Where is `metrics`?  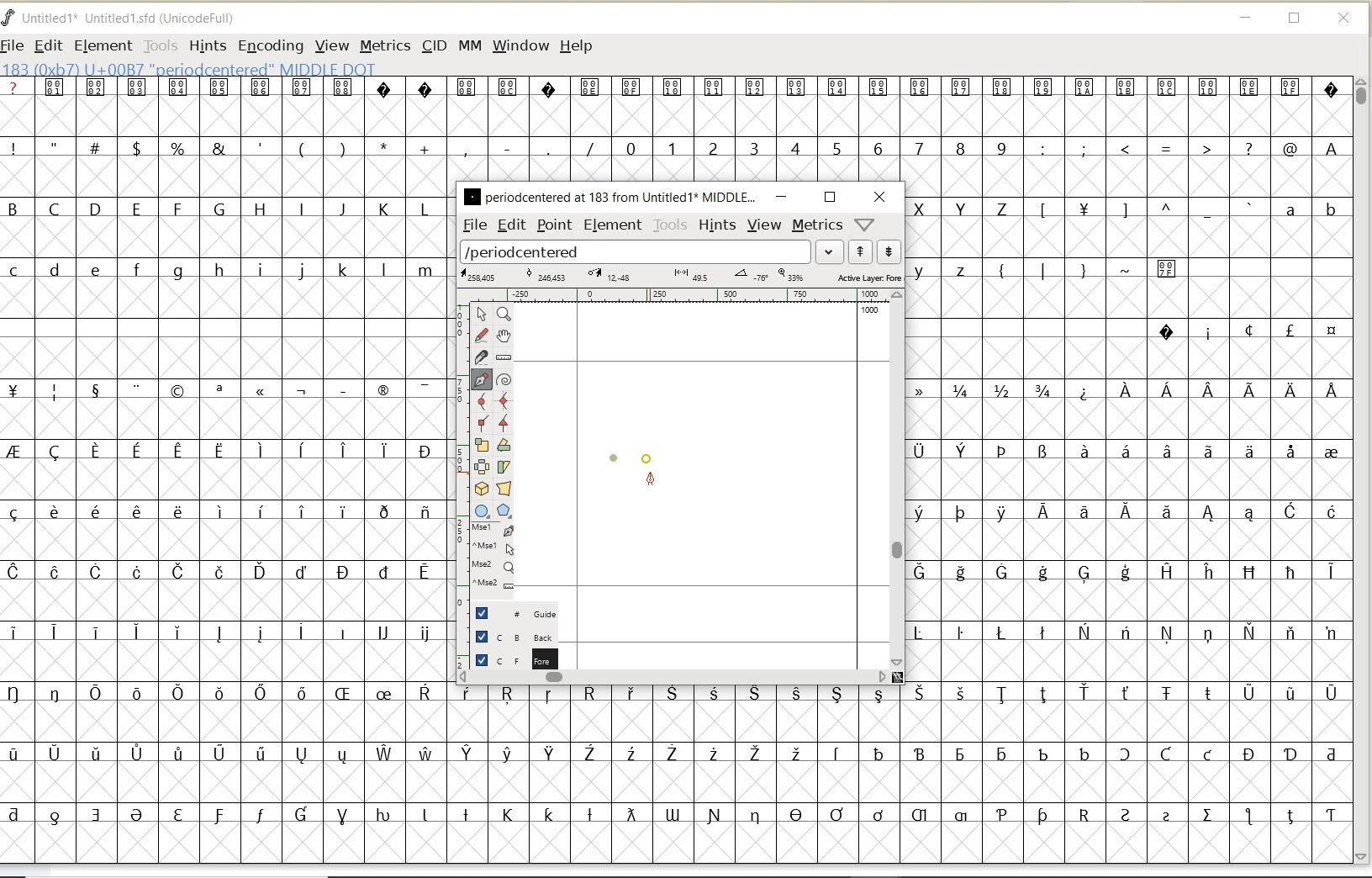 metrics is located at coordinates (818, 225).